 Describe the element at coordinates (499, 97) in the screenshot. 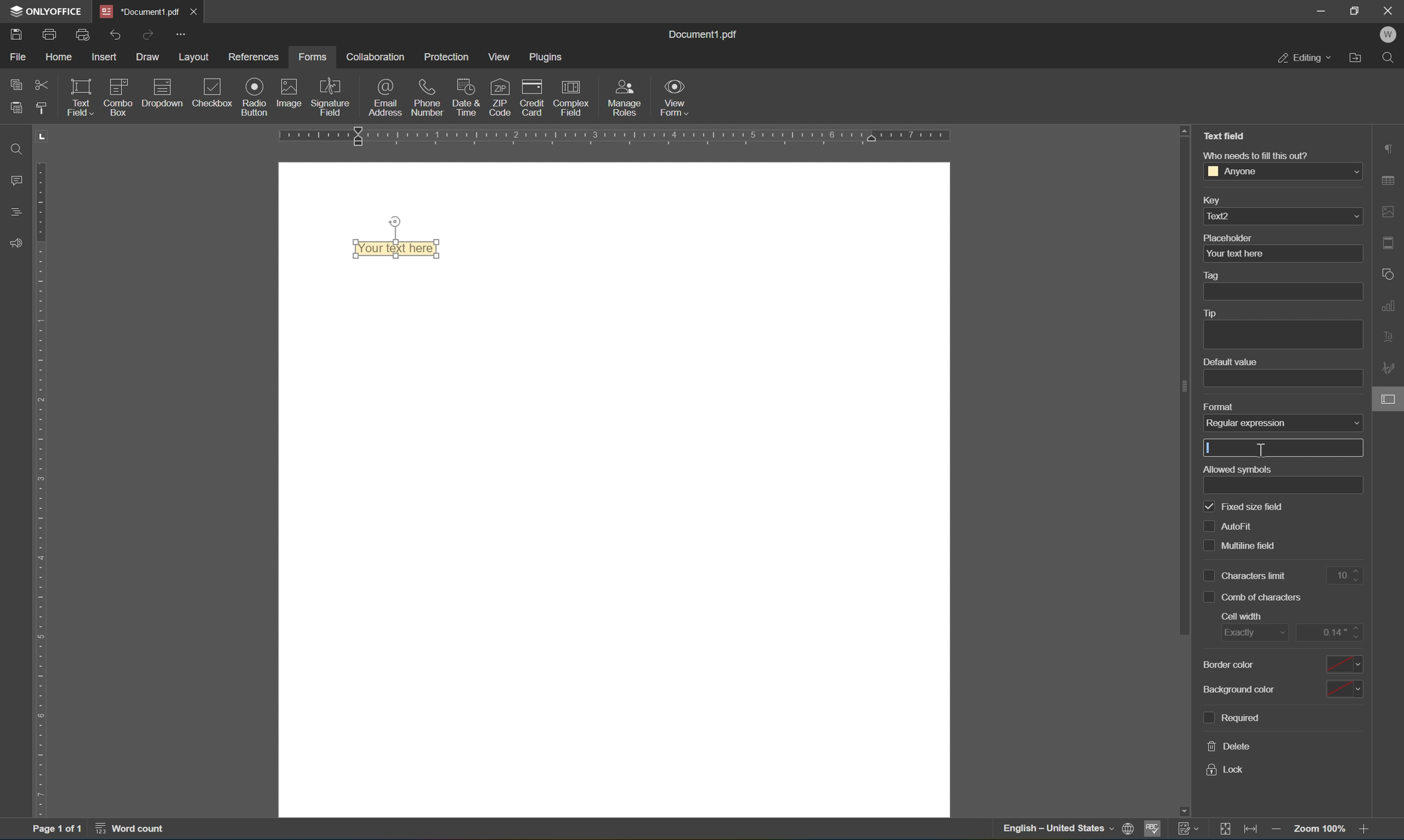

I see `zip code` at that location.